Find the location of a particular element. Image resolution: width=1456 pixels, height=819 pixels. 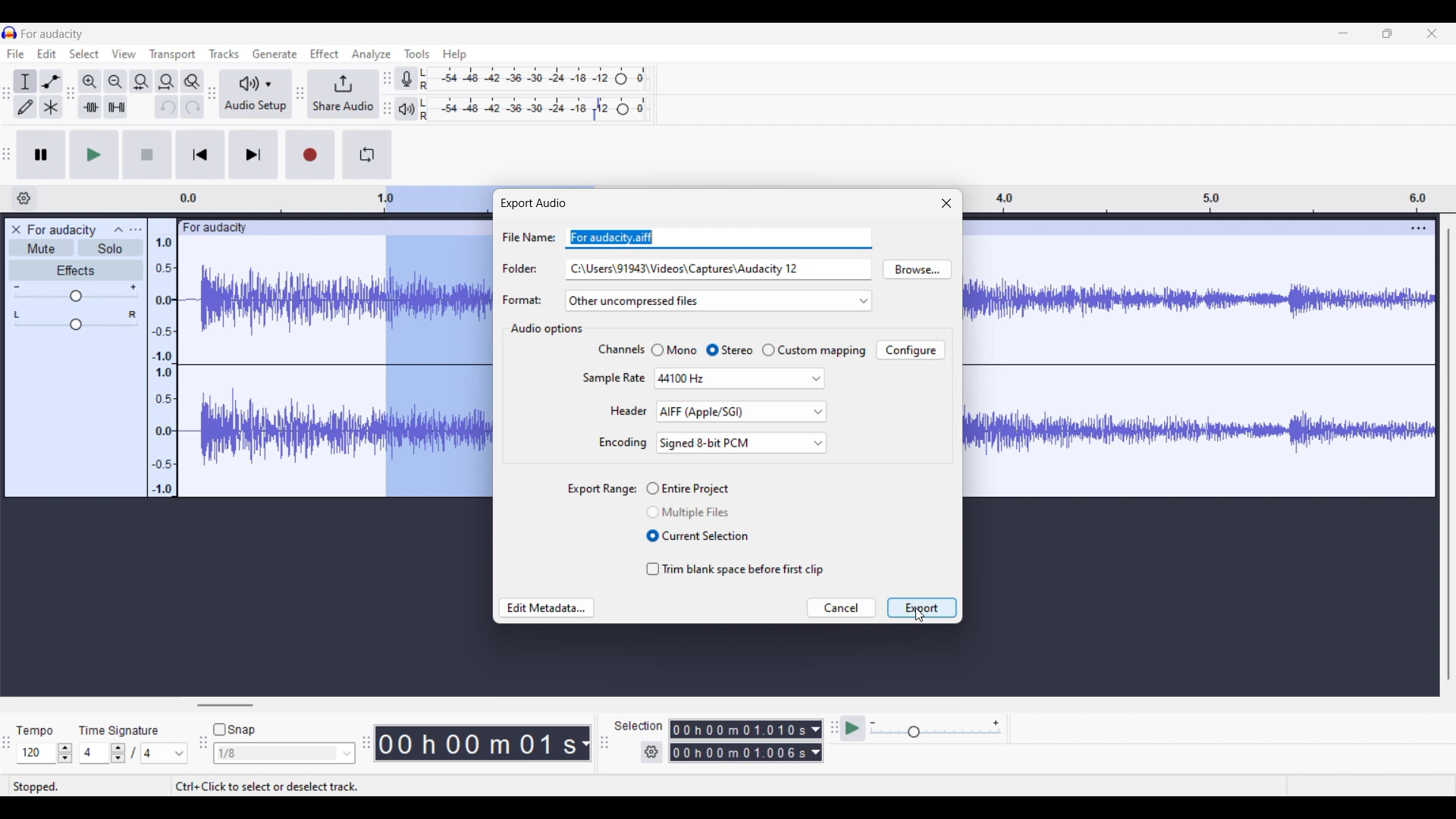

Fit selection to width is located at coordinates (142, 82).